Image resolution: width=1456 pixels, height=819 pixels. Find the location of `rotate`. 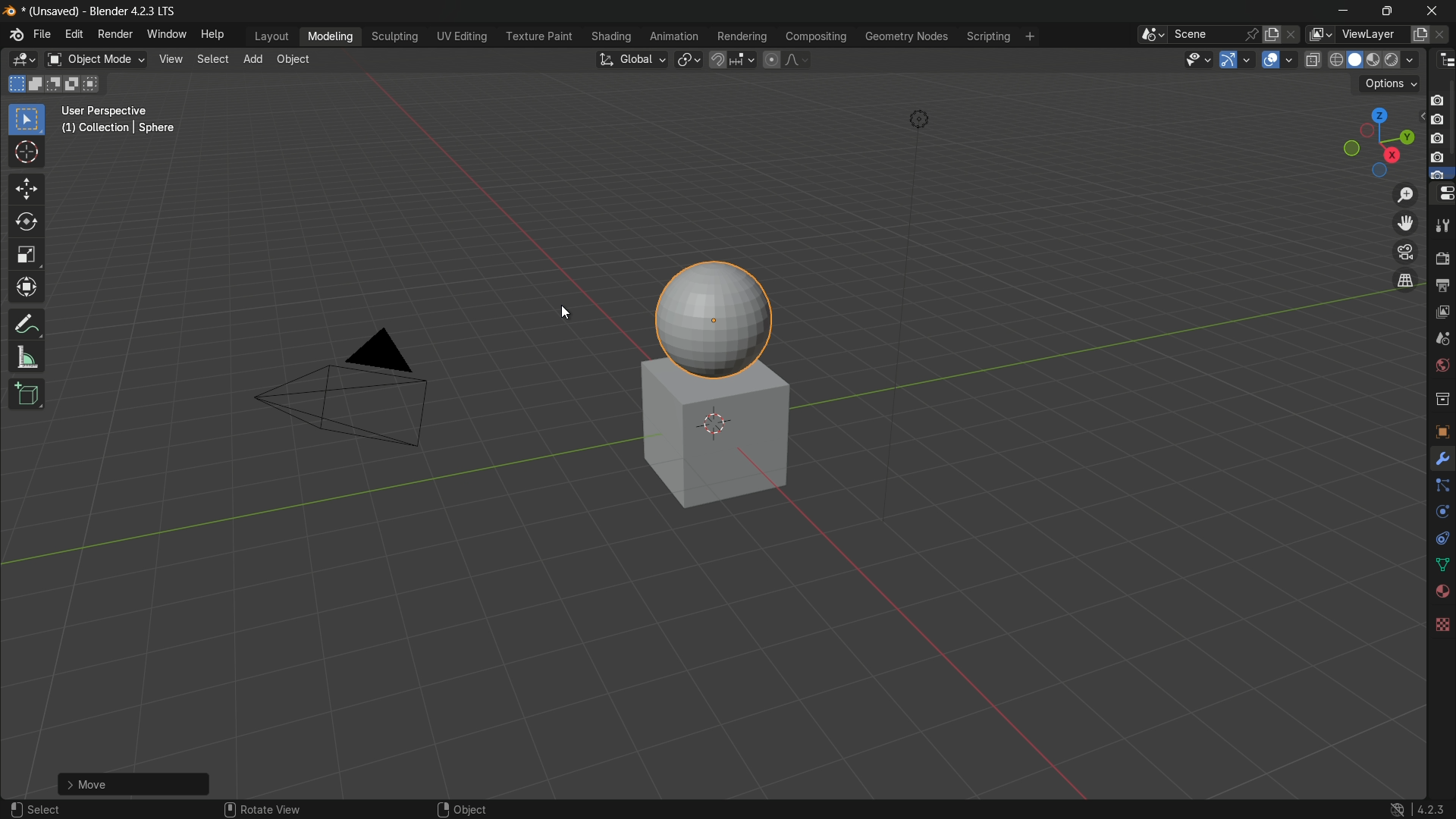

rotate is located at coordinates (29, 225).